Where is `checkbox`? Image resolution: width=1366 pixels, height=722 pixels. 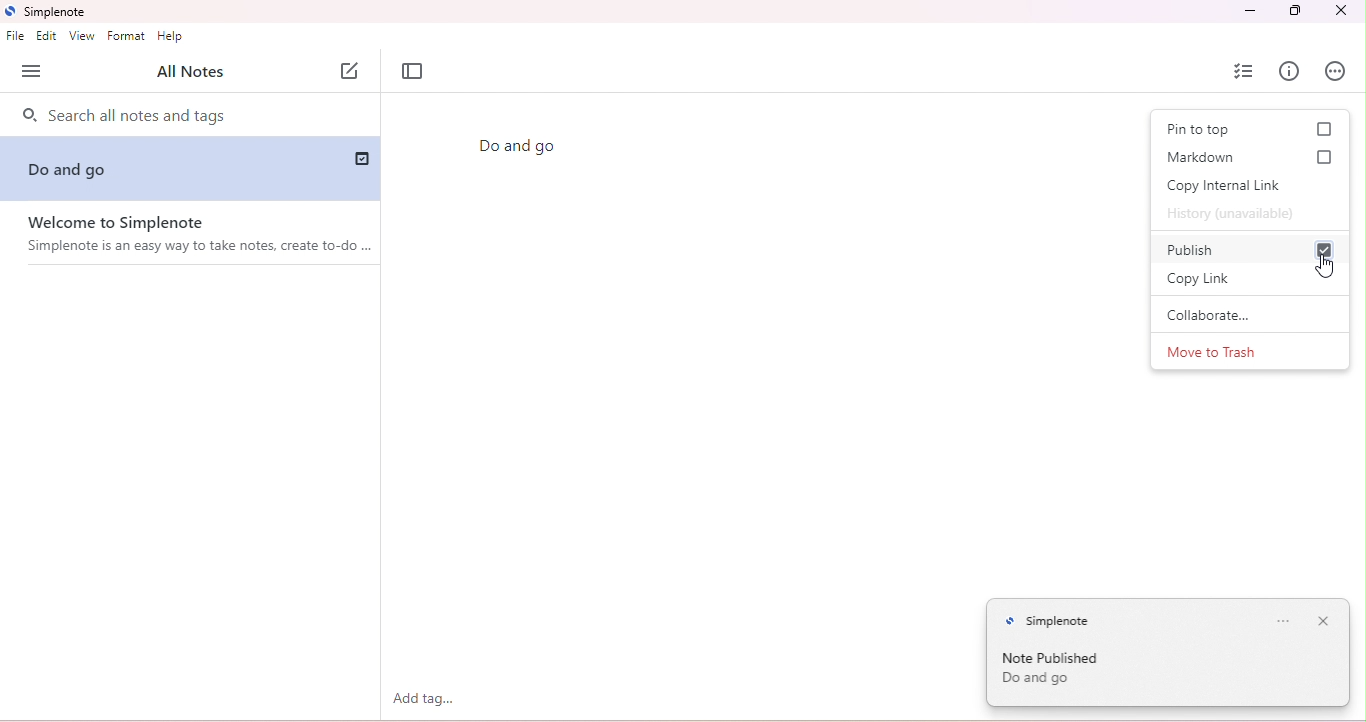
checkbox is located at coordinates (1321, 248).